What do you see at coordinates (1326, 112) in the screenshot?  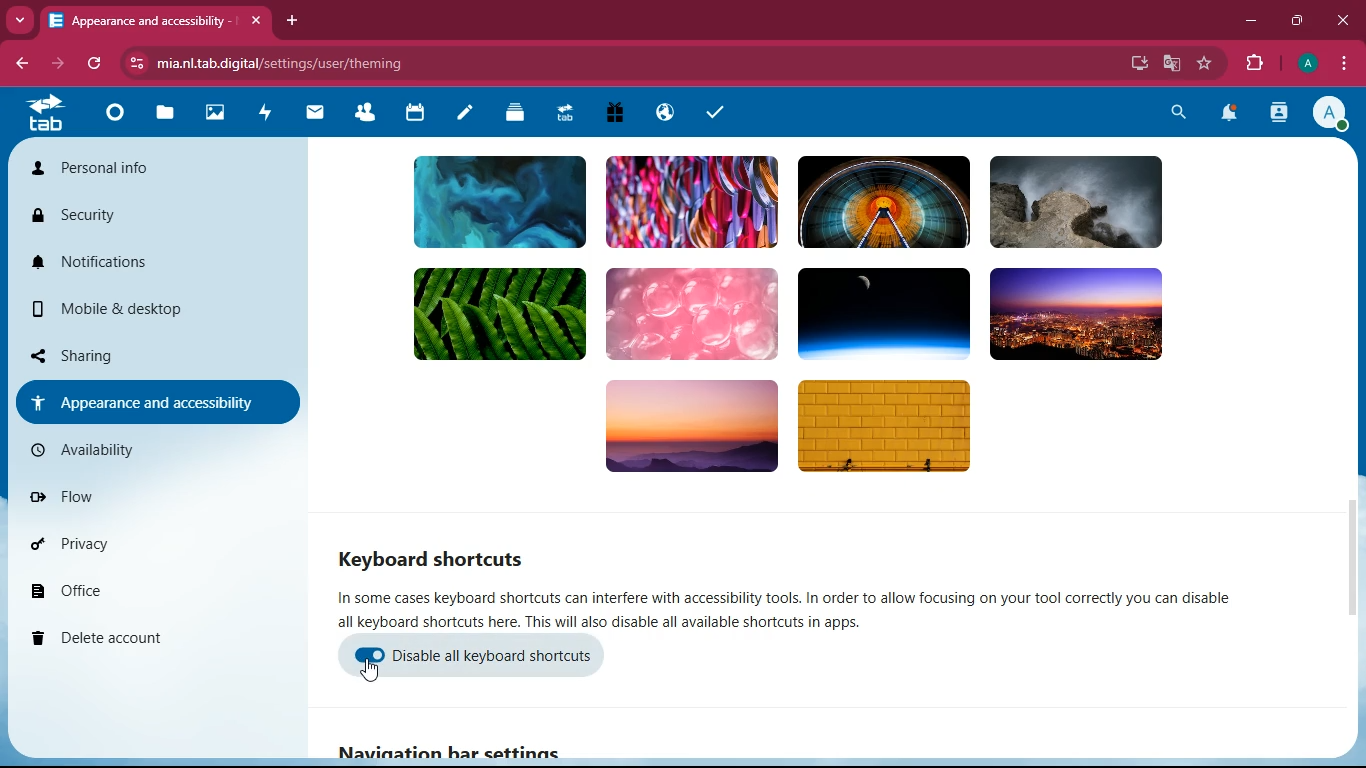 I see `profile` at bounding box center [1326, 112].